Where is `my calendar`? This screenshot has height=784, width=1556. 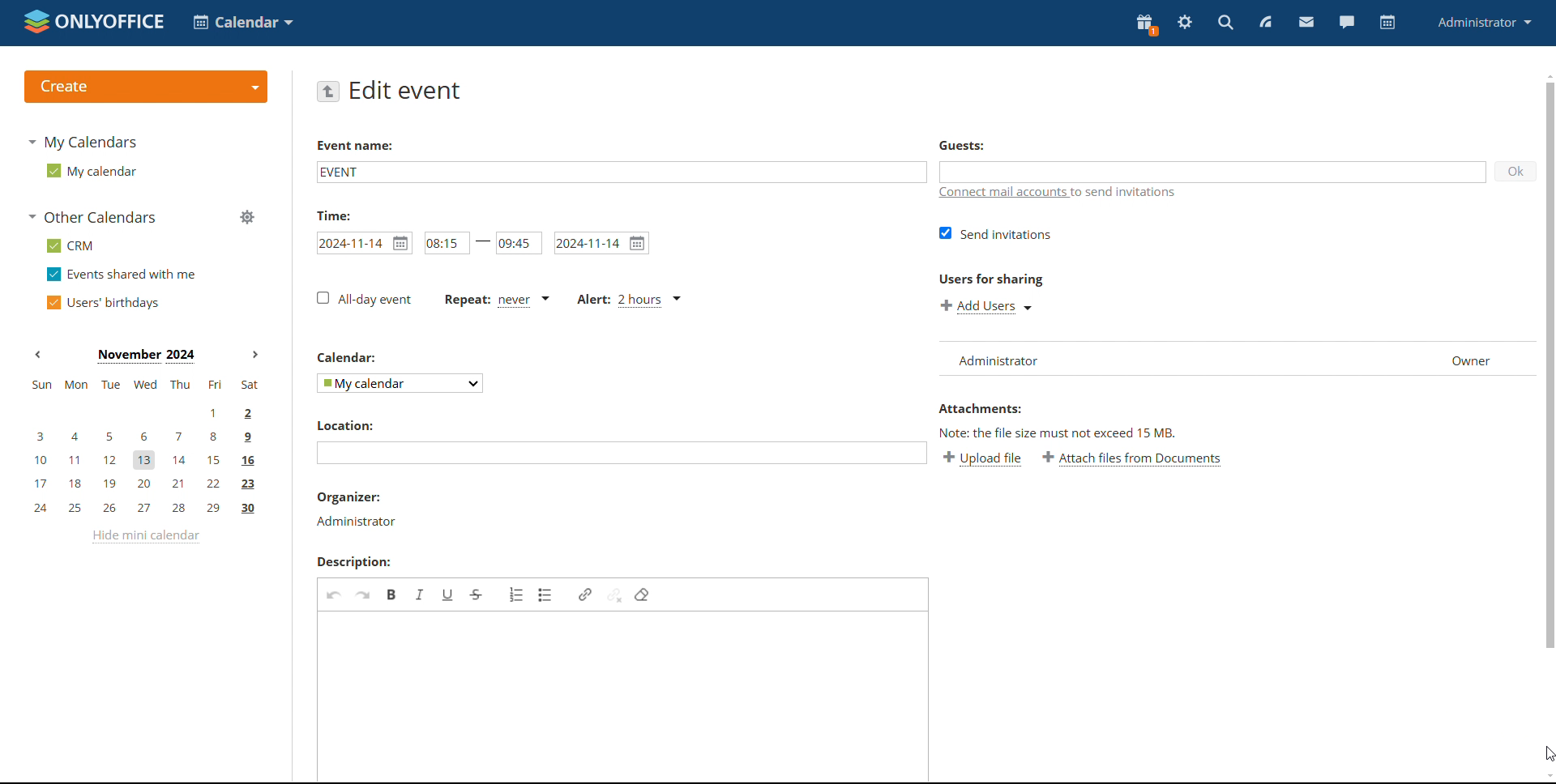 my calendar is located at coordinates (91, 172).